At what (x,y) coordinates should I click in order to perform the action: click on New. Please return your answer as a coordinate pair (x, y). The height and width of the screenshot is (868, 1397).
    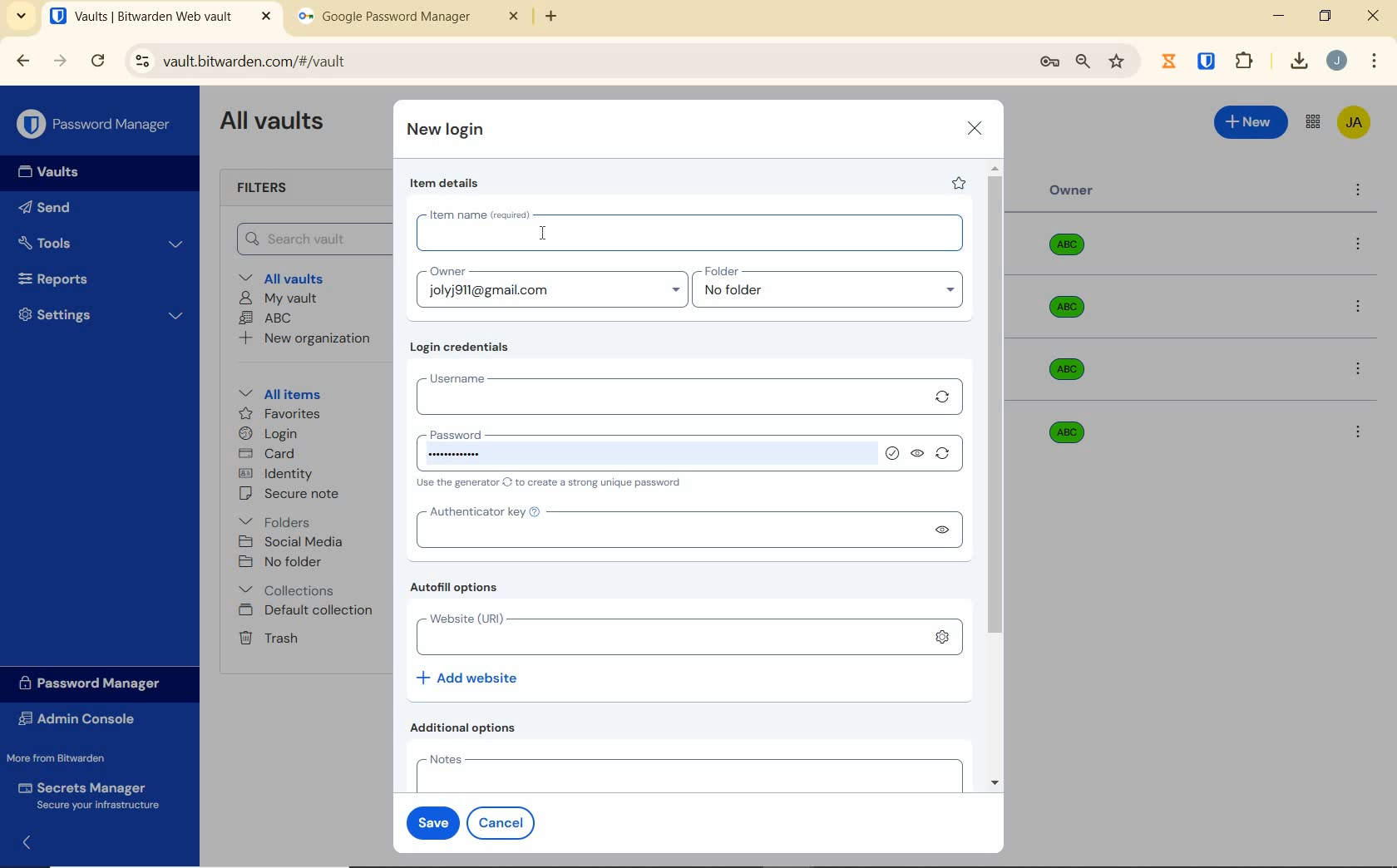
    Looking at the image, I should click on (1251, 120).